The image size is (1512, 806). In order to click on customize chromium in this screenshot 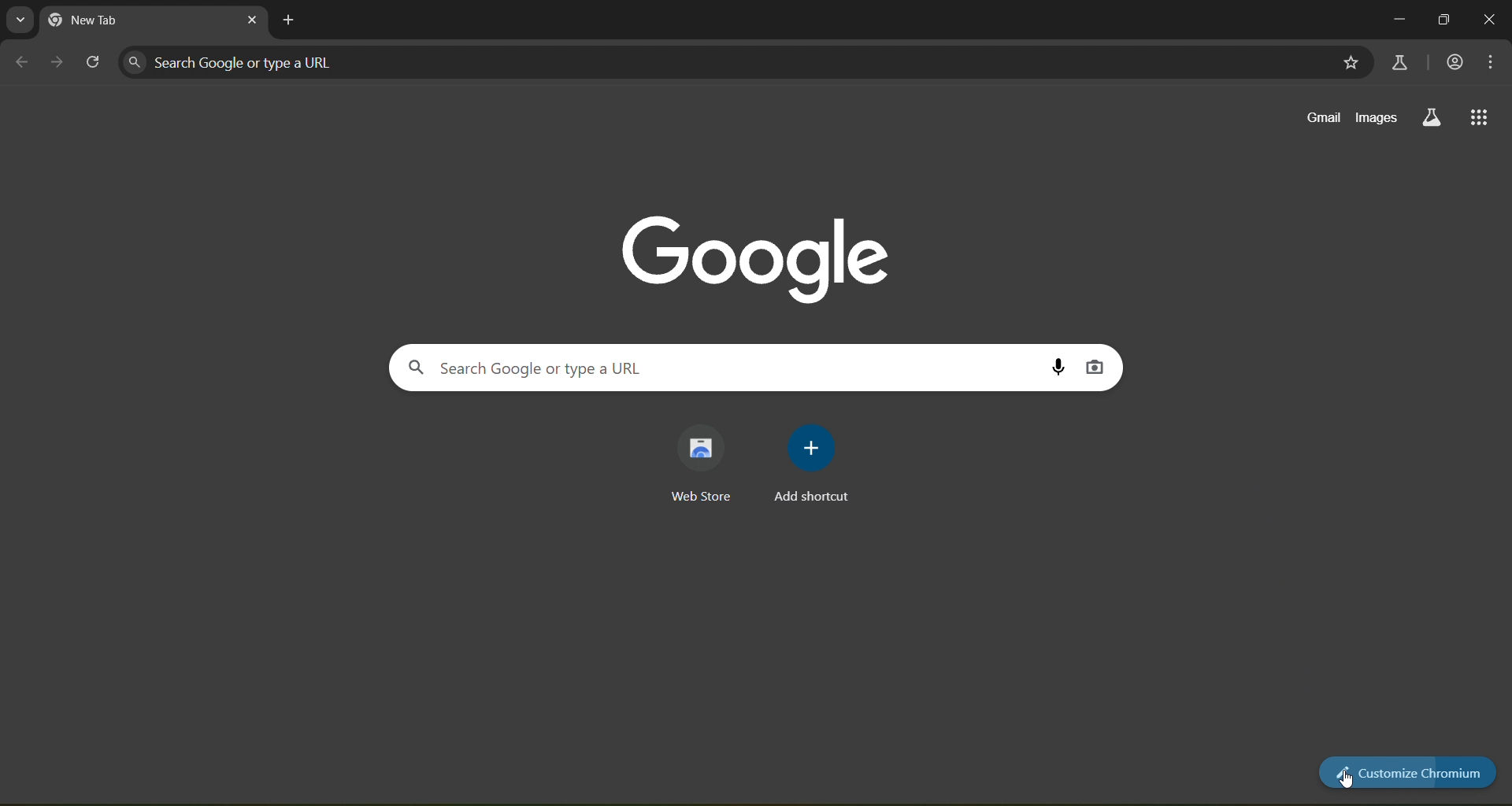, I will do `click(1405, 771)`.